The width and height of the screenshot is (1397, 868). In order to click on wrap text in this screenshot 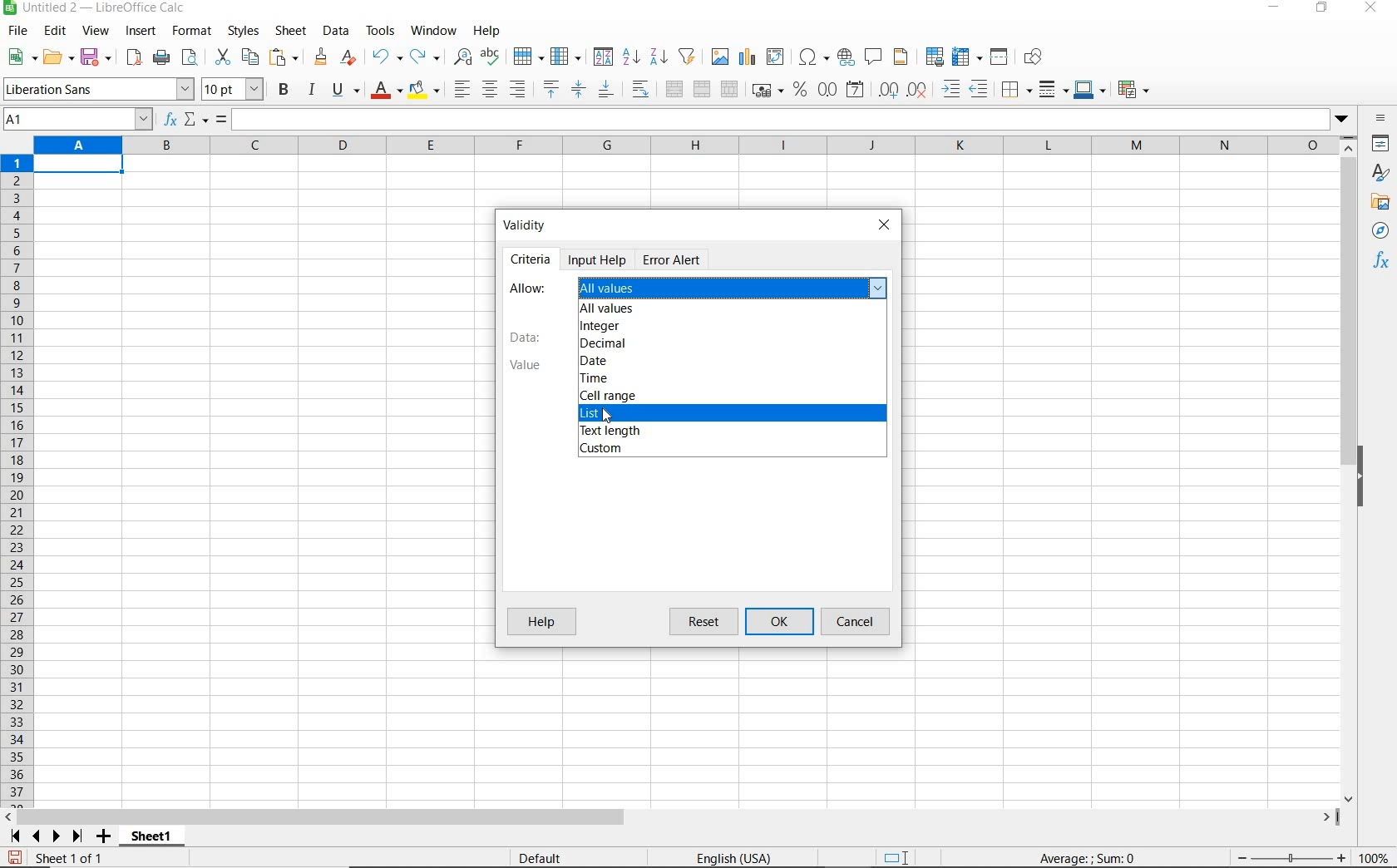, I will do `click(643, 88)`.